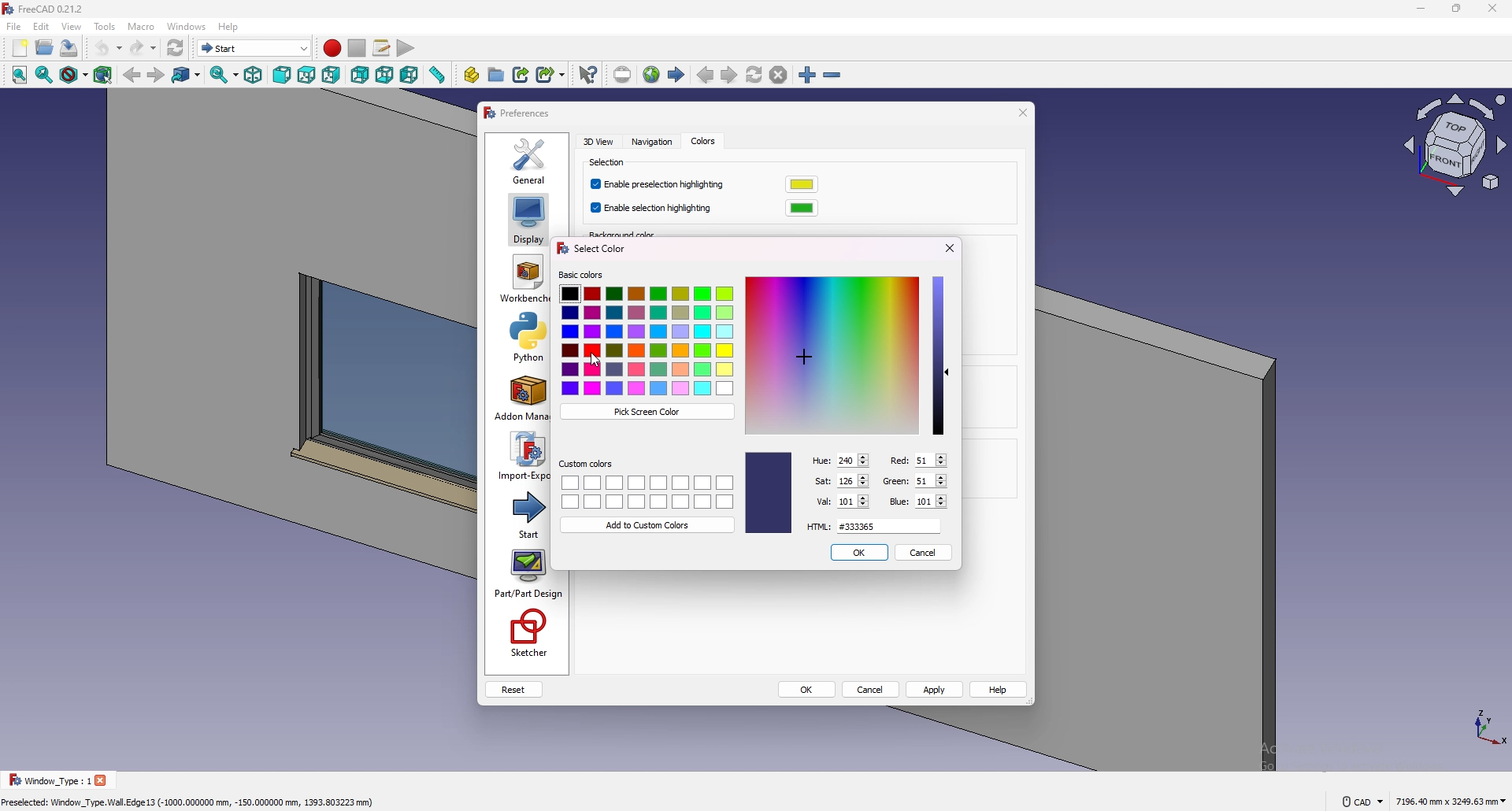  I want to click on 7196.40 mm x 3243.63 mm ~~, so click(1451, 800).